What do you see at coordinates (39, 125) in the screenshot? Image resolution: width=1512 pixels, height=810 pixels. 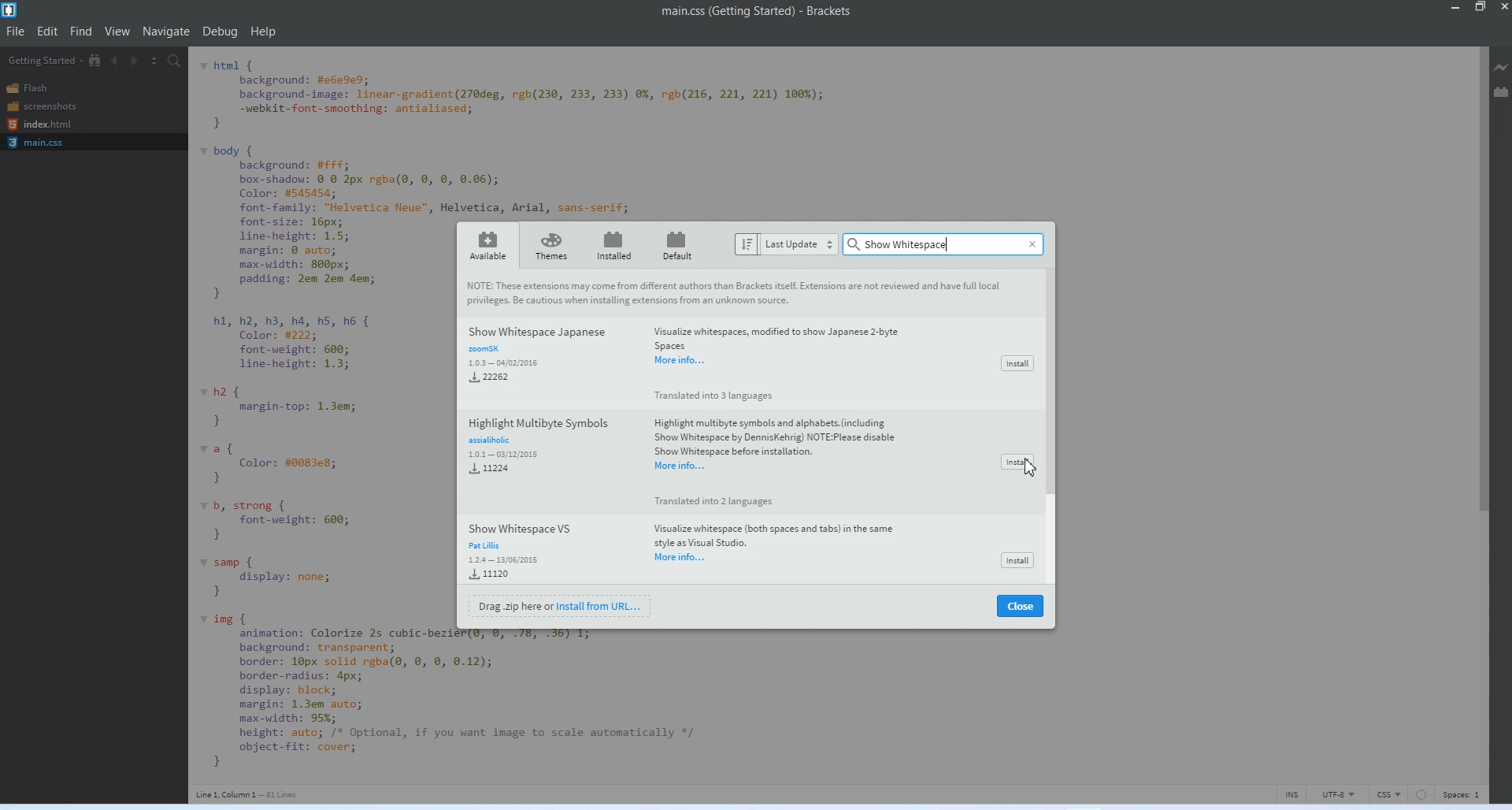 I see `Index.html` at bounding box center [39, 125].